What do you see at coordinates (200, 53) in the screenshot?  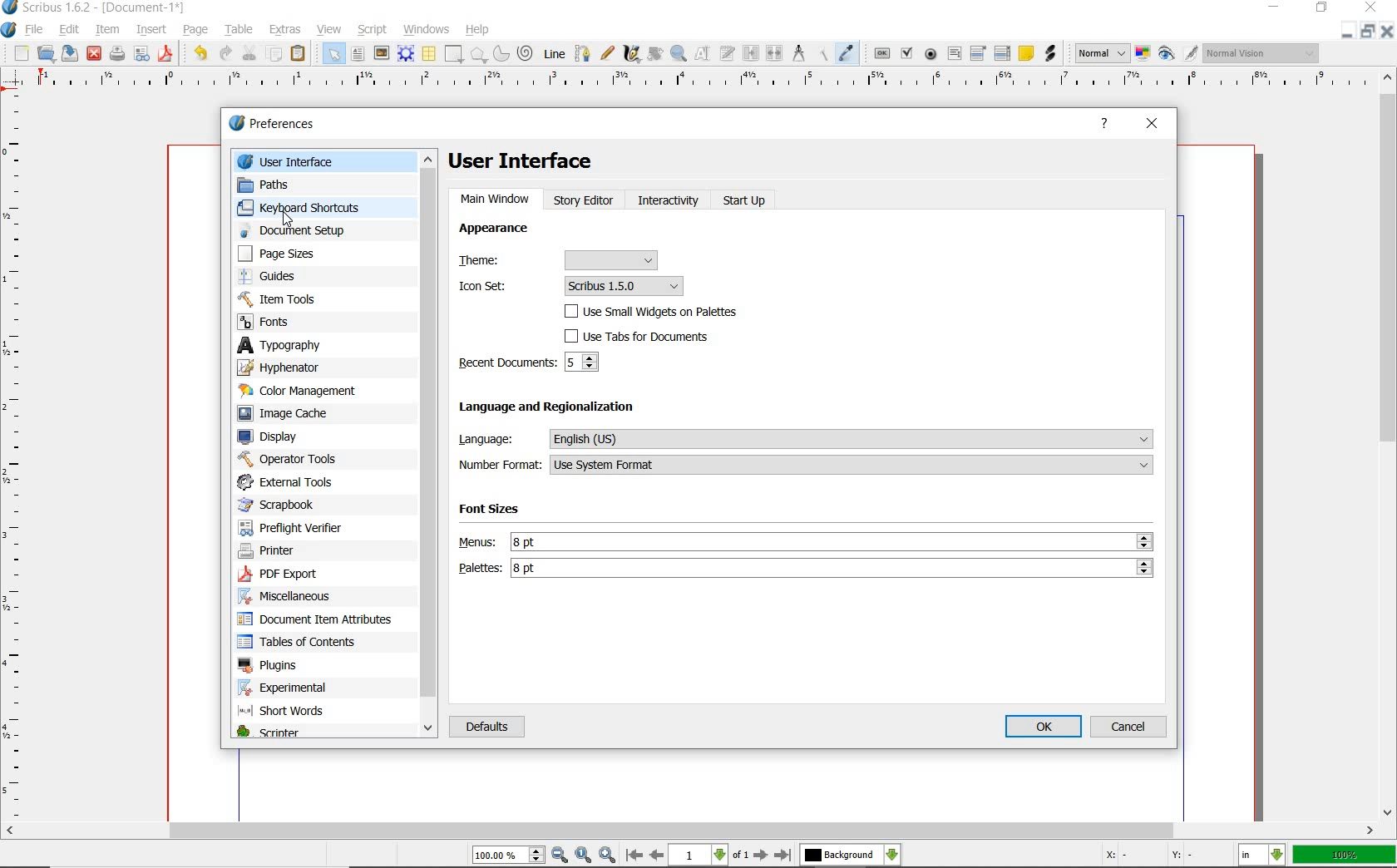 I see `undo` at bounding box center [200, 53].